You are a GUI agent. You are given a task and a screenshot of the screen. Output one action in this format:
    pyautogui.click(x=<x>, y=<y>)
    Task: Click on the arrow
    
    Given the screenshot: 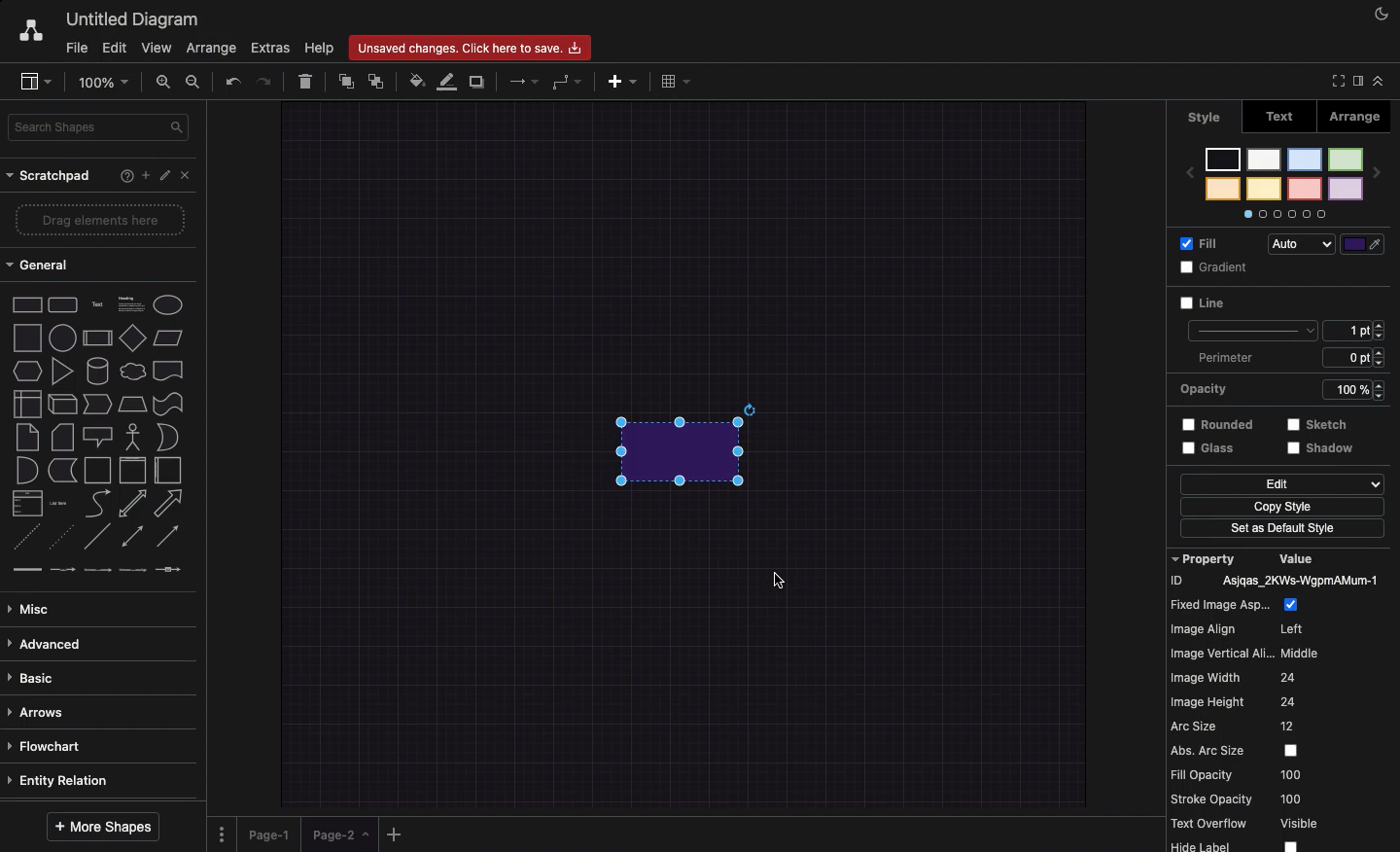 What is the action you would take?
    pyautogui.click(x=172, y=503)
    